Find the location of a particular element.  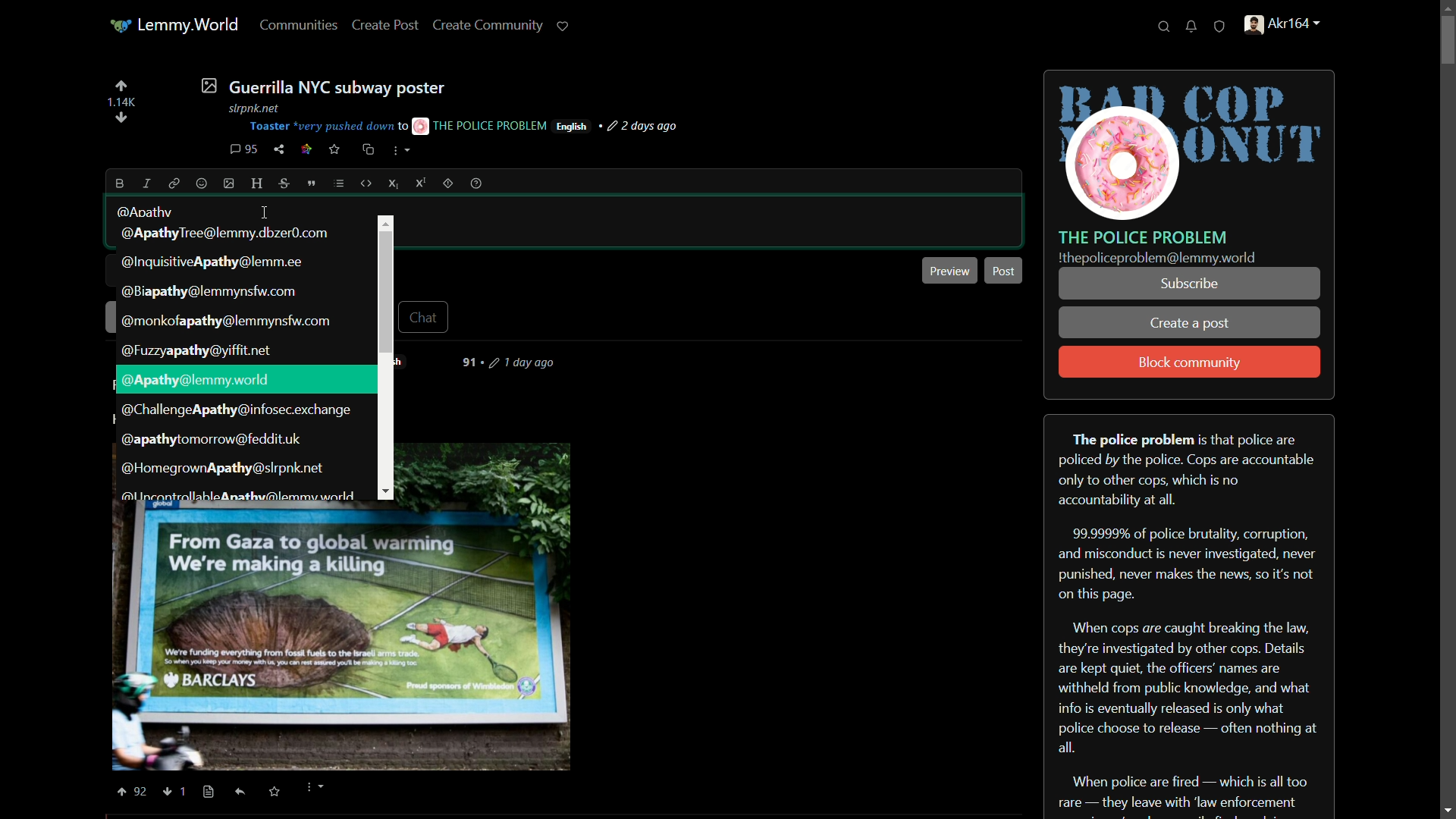

post-time is located at coordinates (645, 127).